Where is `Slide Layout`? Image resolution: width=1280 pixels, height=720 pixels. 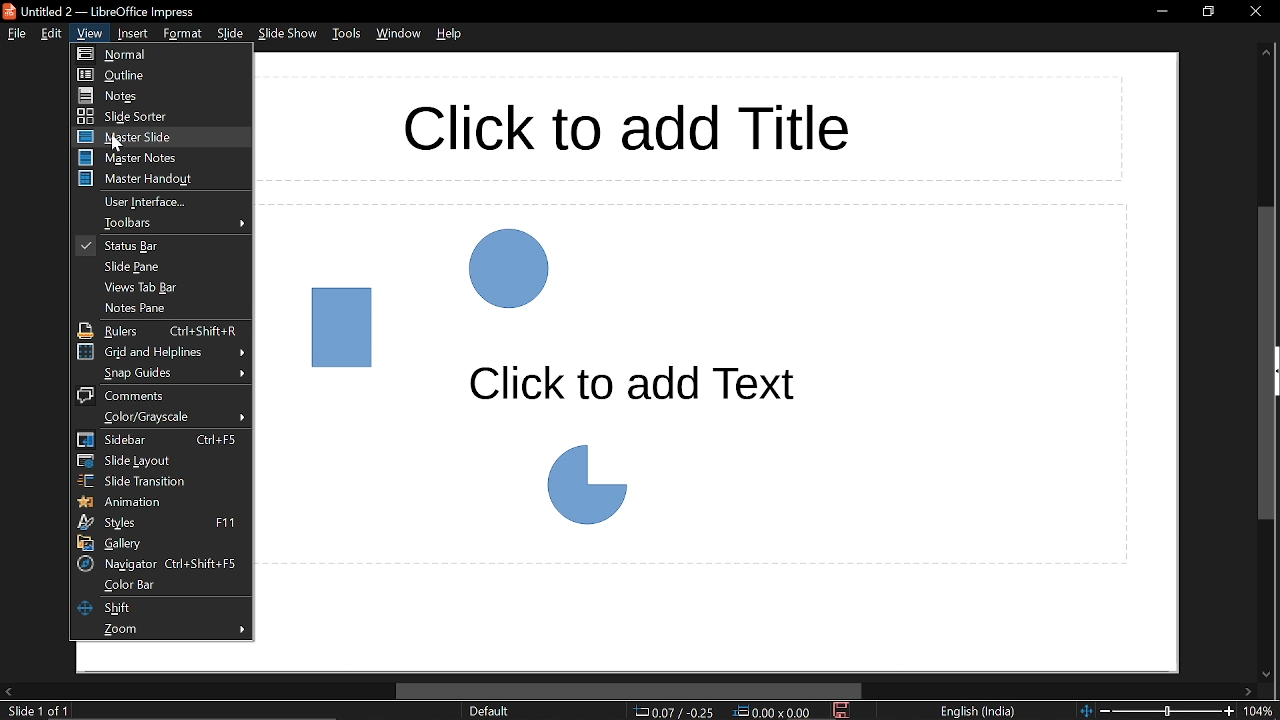
Slide Layout is located at coordinates (155, 462).